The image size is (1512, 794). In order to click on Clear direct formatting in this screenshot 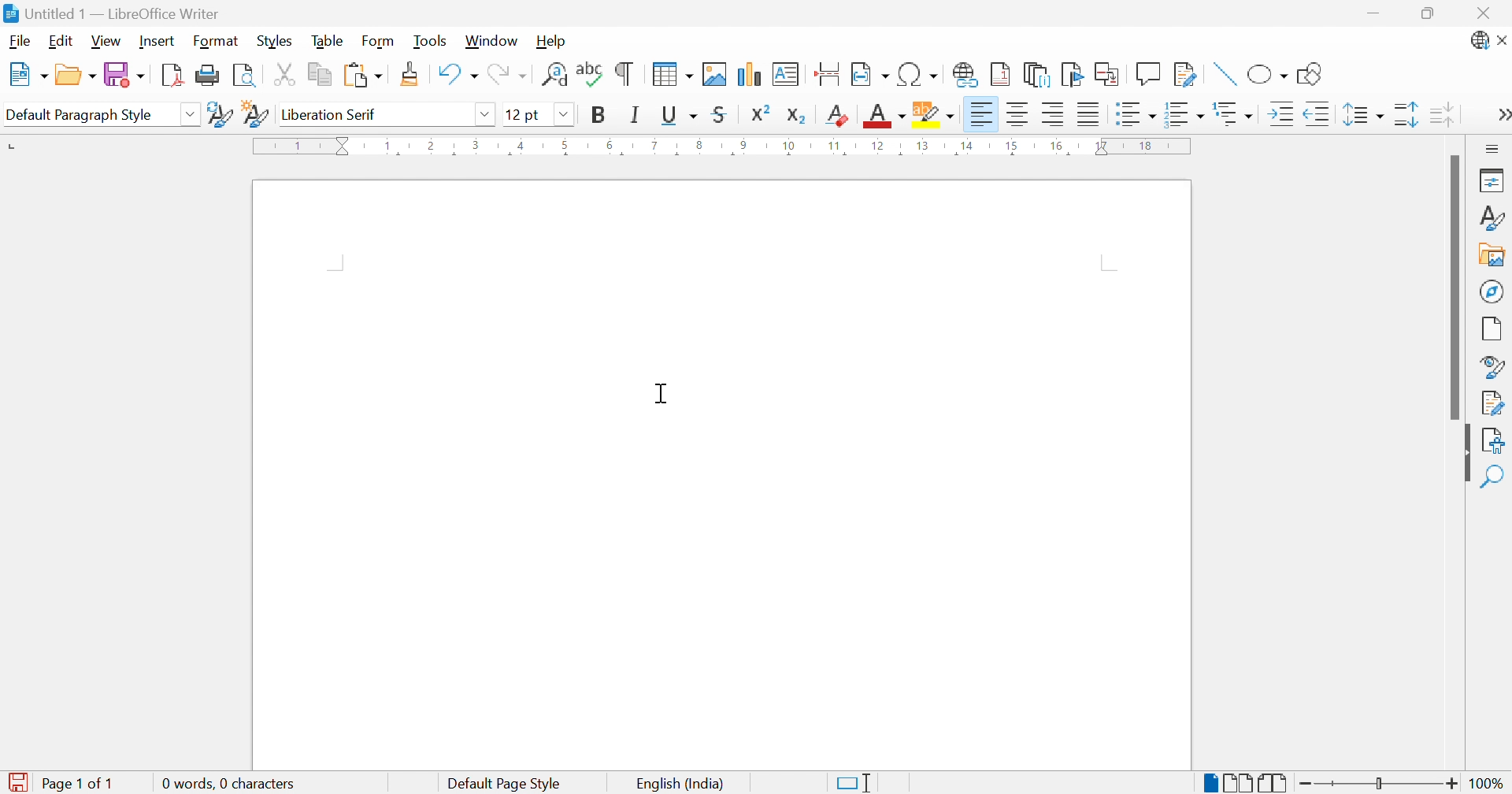, I will do `click(839, 114)`.